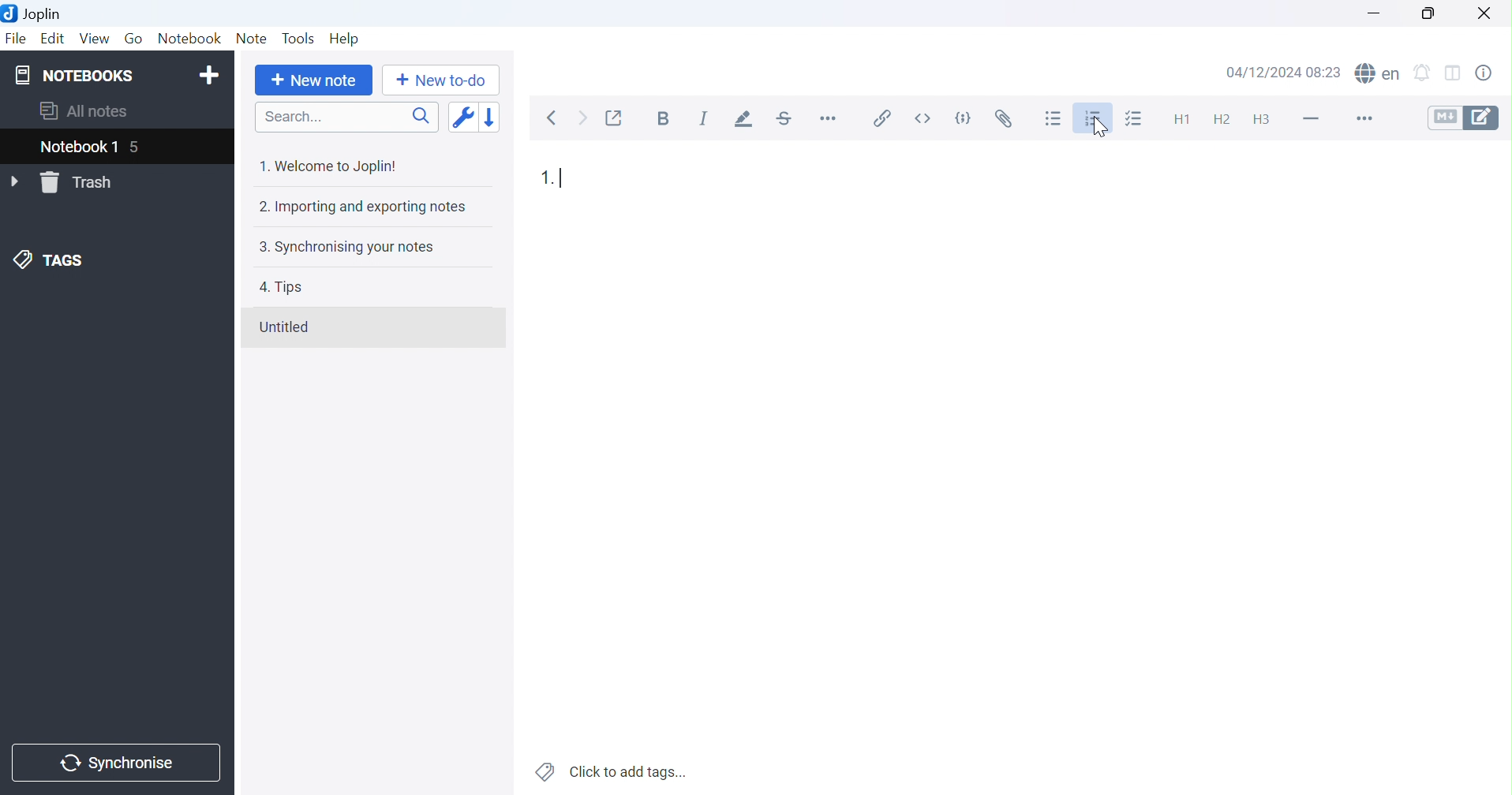 The height and width of the screenshot is (795, 1512). What do you see at coordinates (80, 183) in the screenshot?
I see `Trash` at bounding box center [80, 183].